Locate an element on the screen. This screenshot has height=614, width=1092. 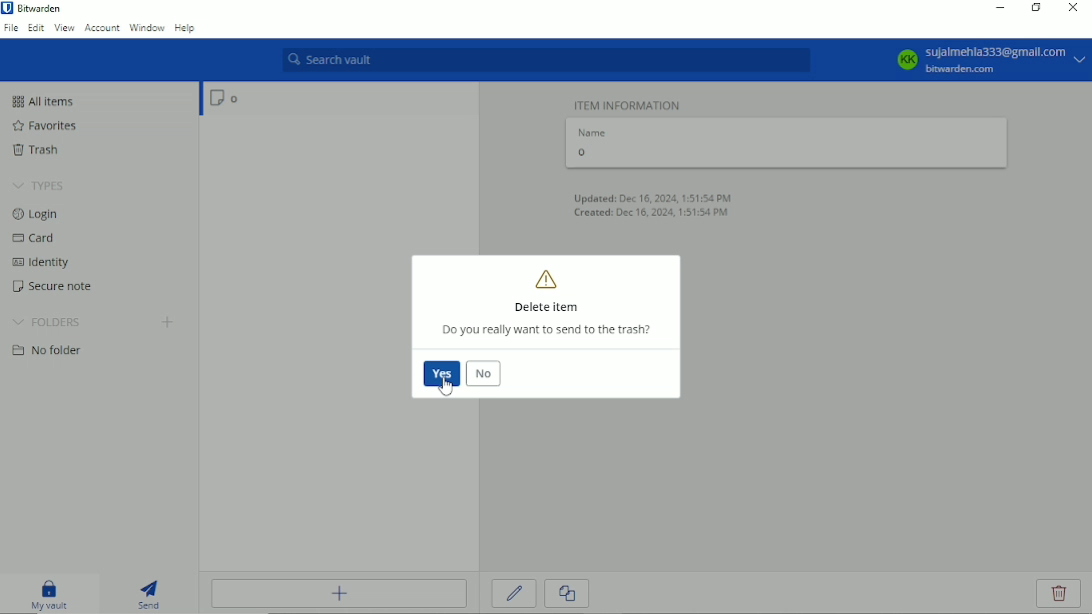
File is located at coordinates (10, 28).